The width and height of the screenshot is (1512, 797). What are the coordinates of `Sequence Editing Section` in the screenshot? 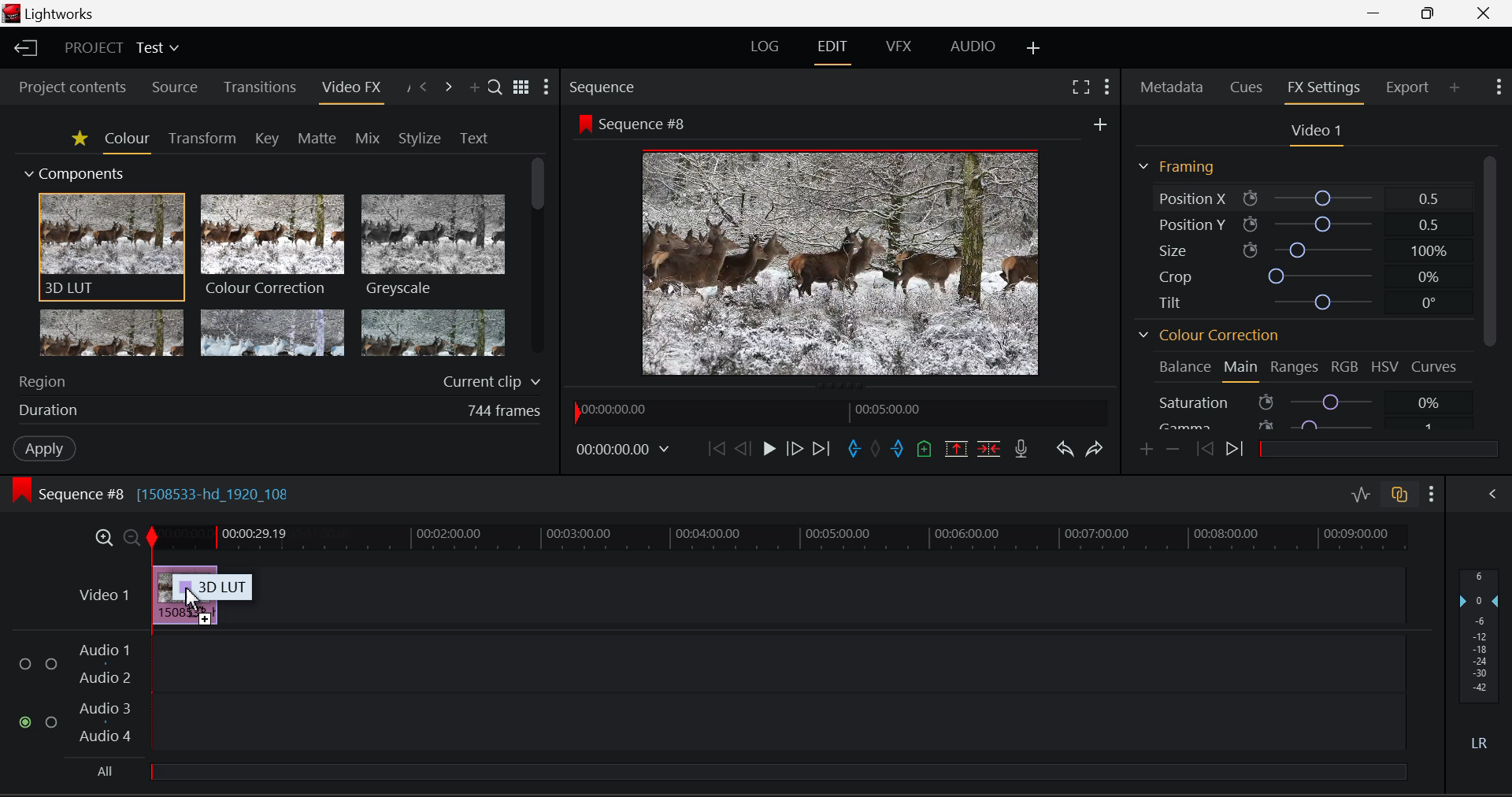 It's located at (157, 495).